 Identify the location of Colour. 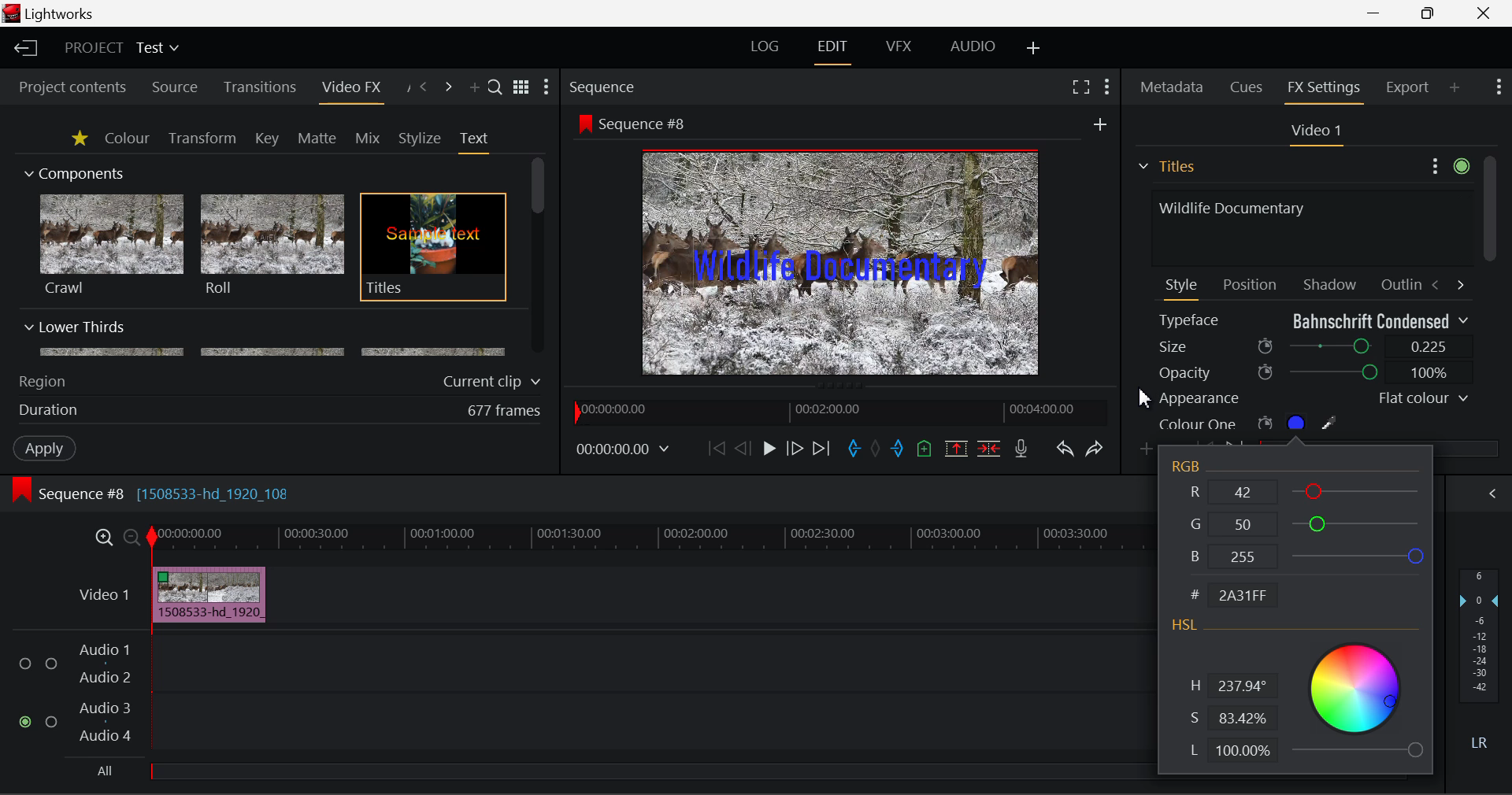
(127, 137).